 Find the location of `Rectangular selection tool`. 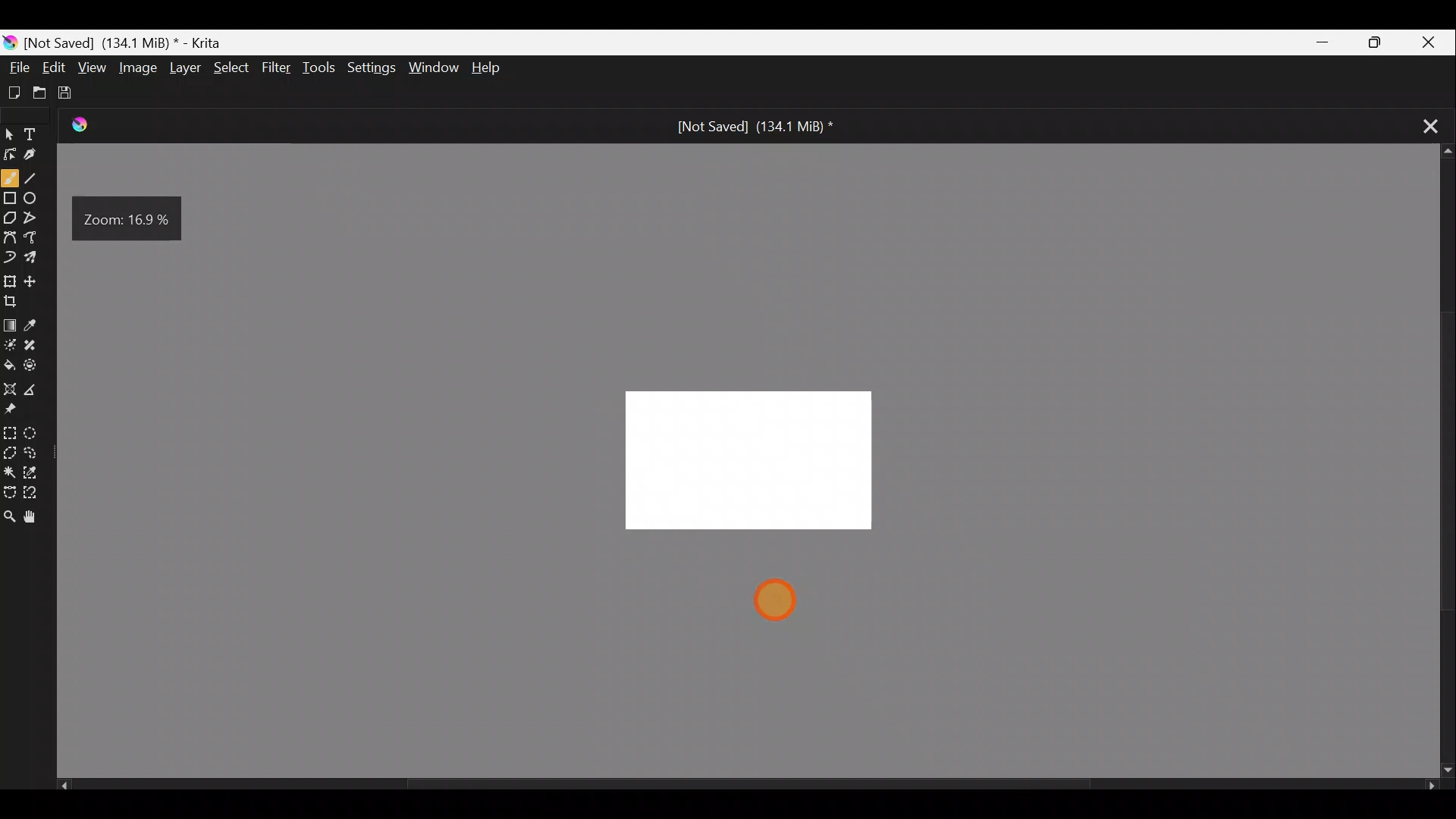

Rectangular selection tool is located at coordinates (12, 432).